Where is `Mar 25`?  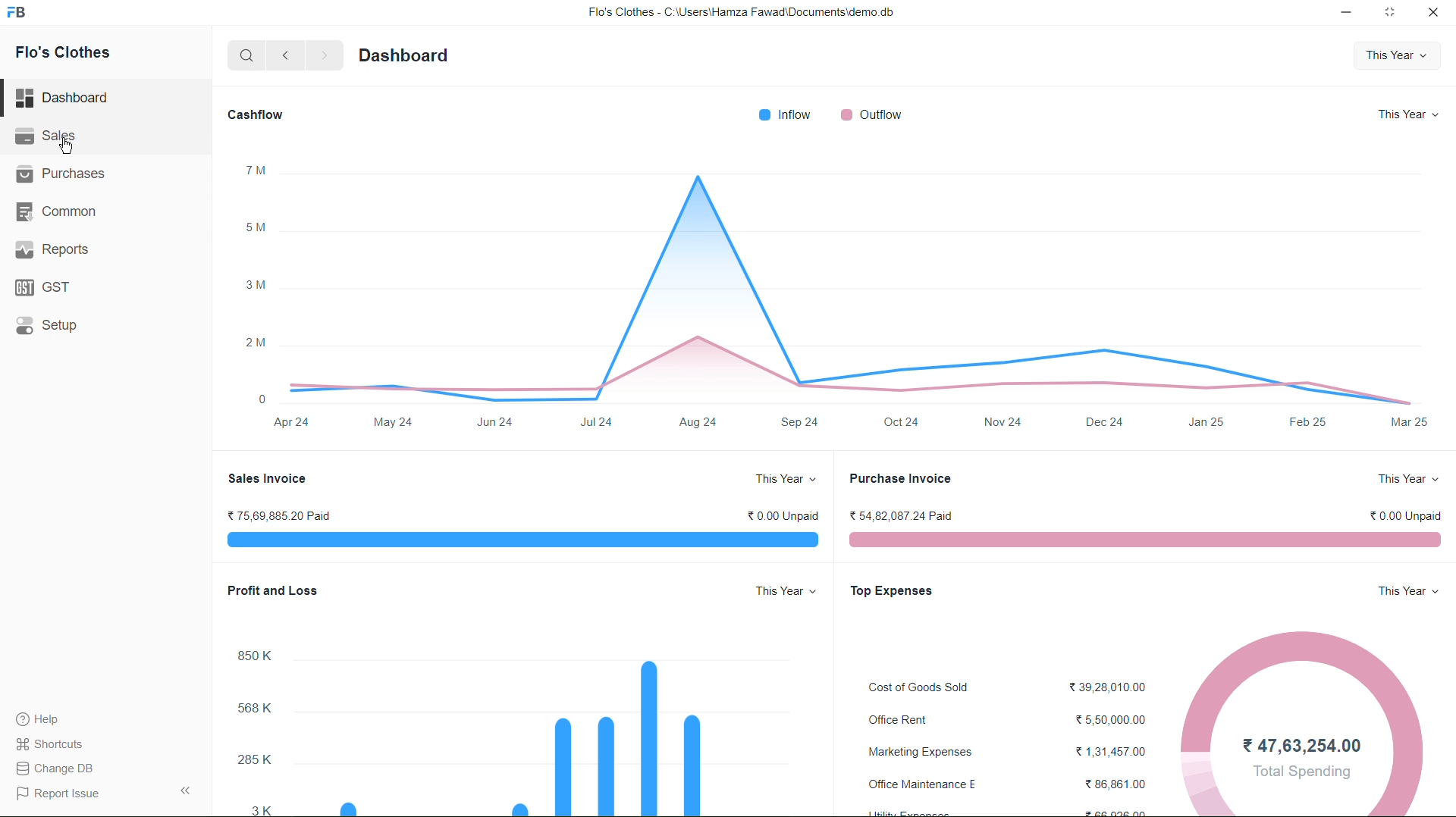 Mar 25 is located at coordinates (1407, 424).